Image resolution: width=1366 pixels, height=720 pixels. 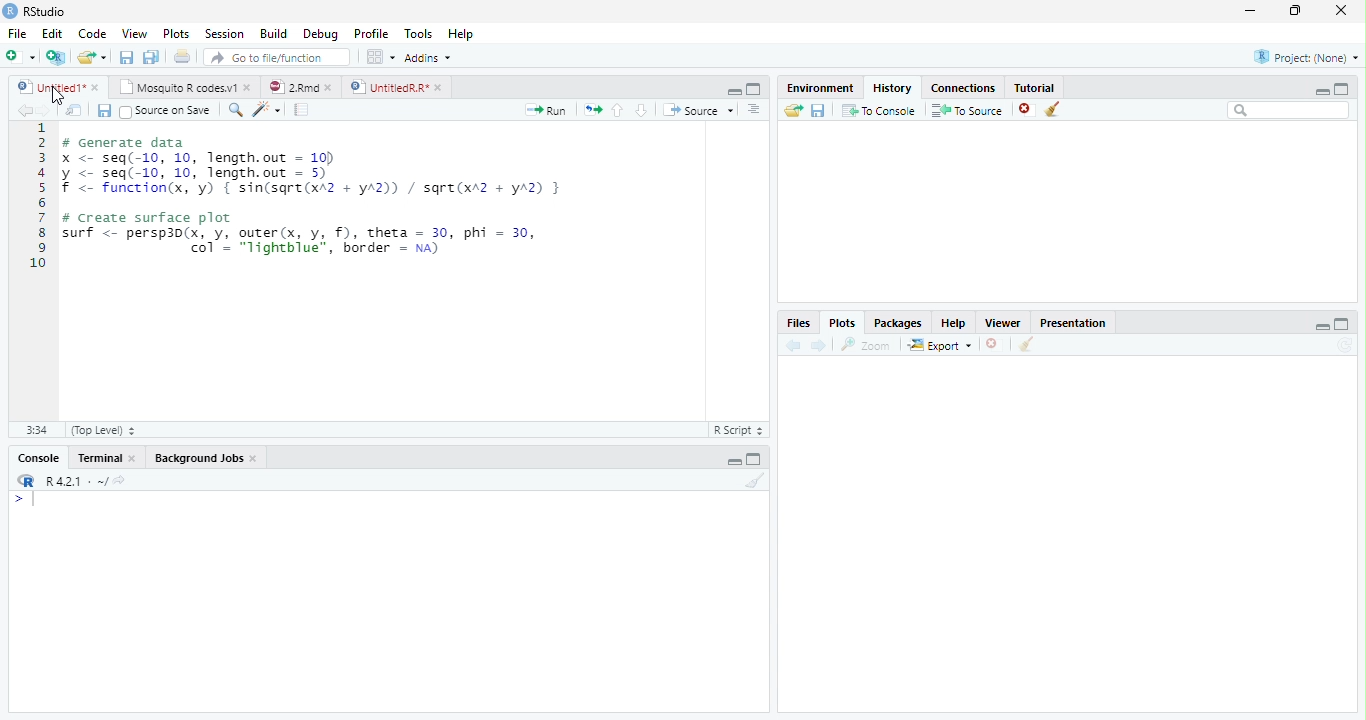 I want to click on Clear all history entries, so click(x=1052, y=109).